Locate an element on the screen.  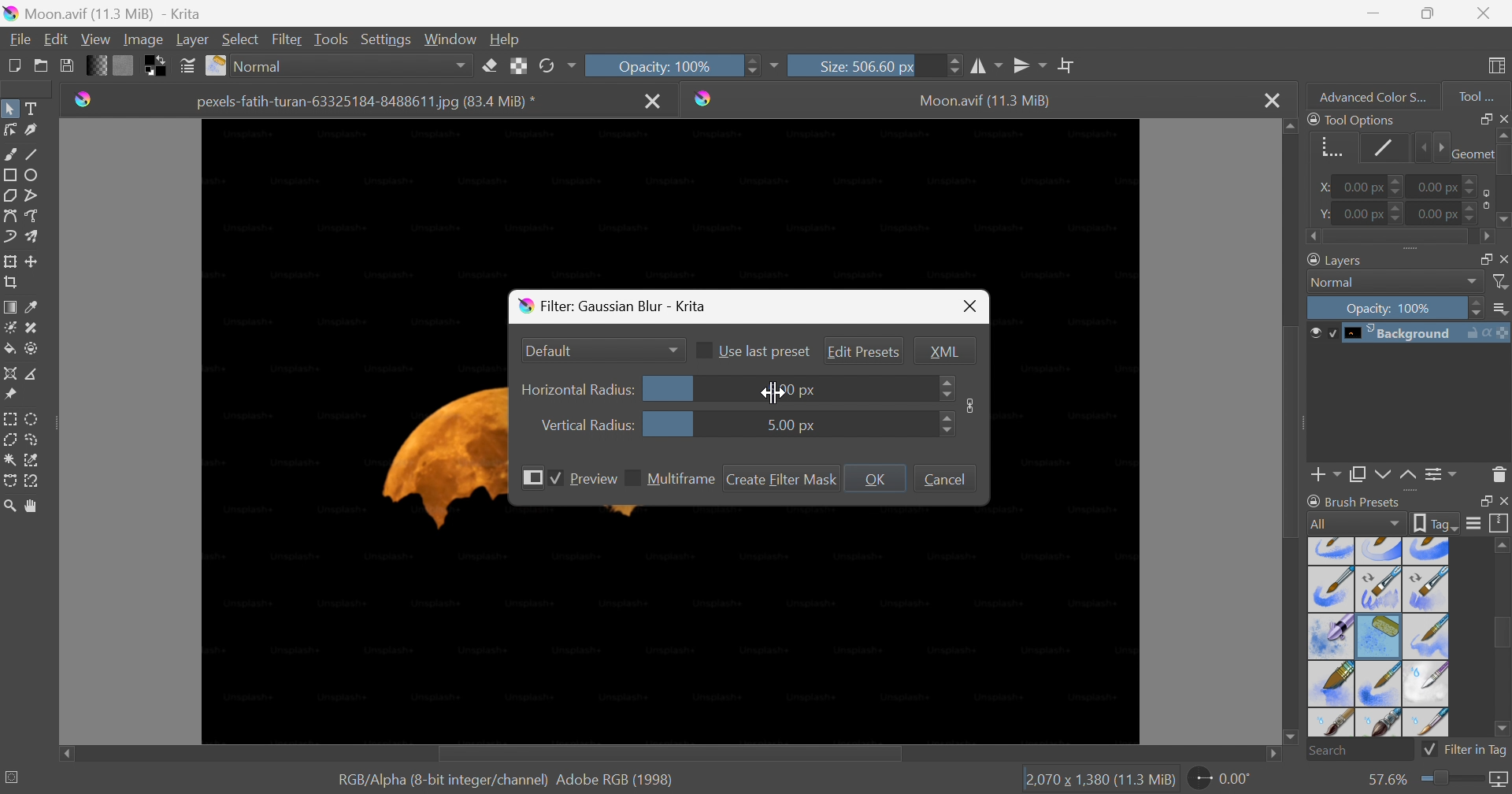
Scroll bar is located at coordinates (667, 755).